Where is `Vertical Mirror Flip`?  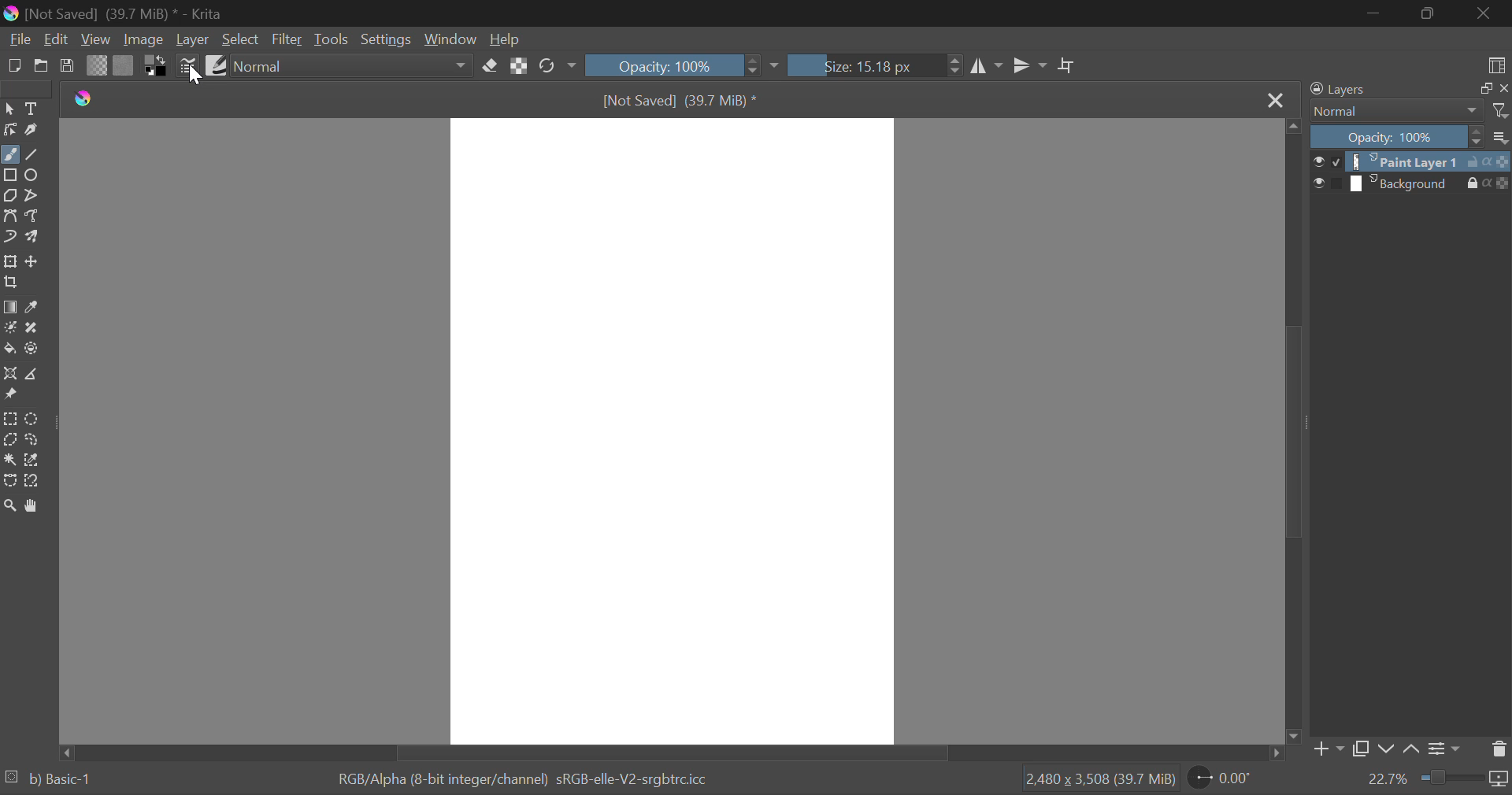 Vertical Mirror Flip is located at coordinates (988, 65).